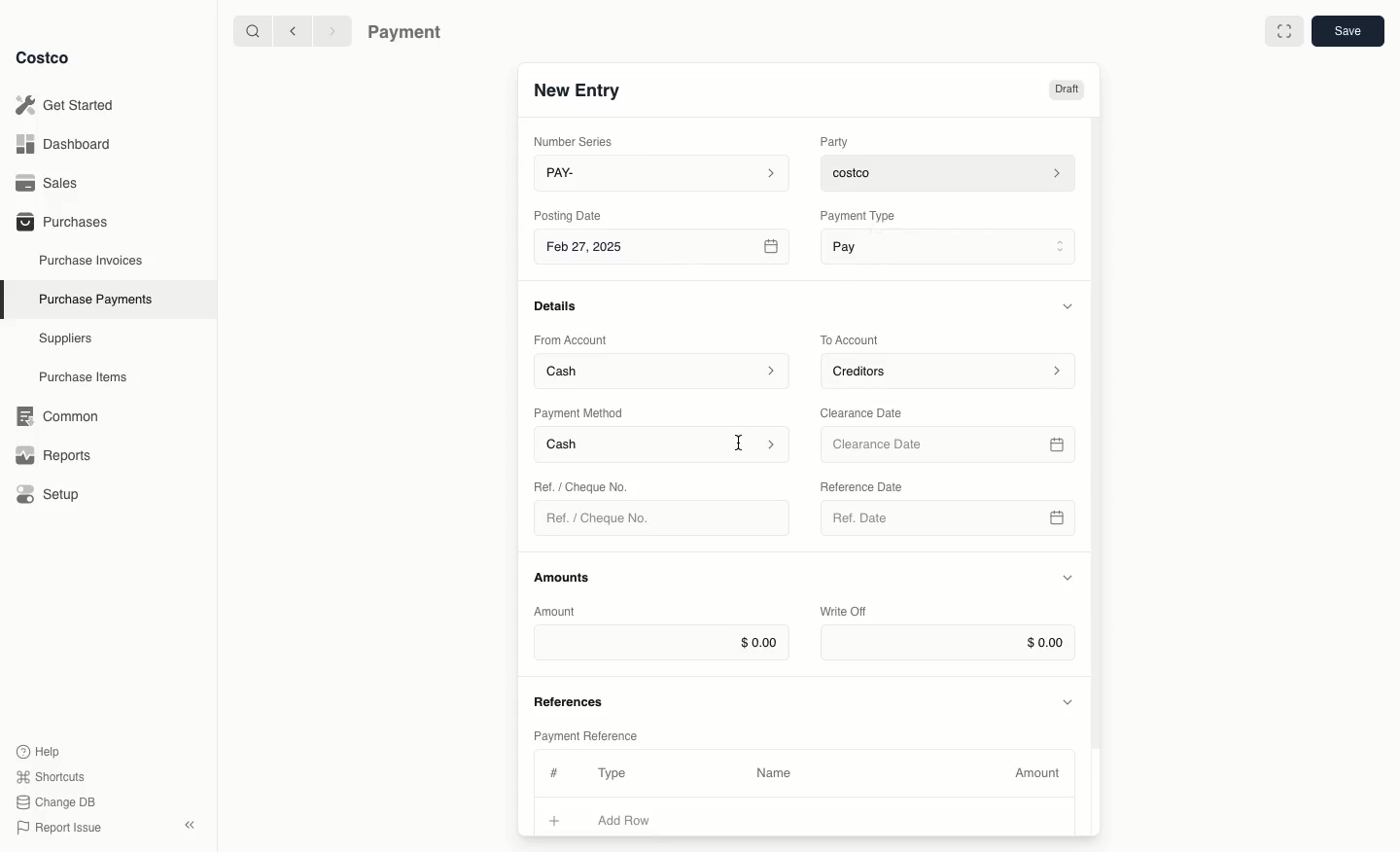 The image size is (1400, 852). Describe the element at coordinates (53, 183) in the screenshot. I see `Sales` at that location.